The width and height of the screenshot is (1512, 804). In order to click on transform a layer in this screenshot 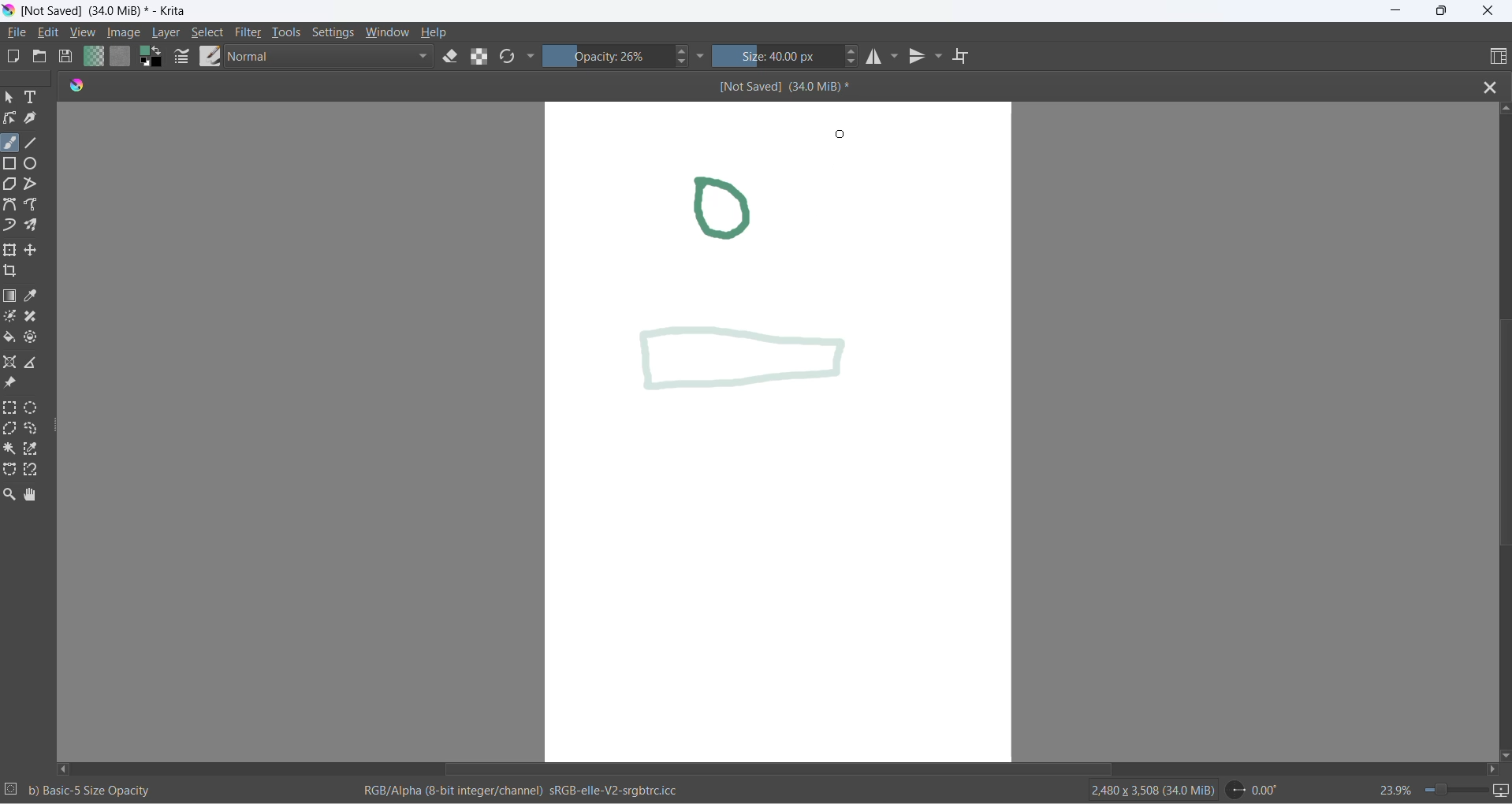, I will do `click(12, 251)`.